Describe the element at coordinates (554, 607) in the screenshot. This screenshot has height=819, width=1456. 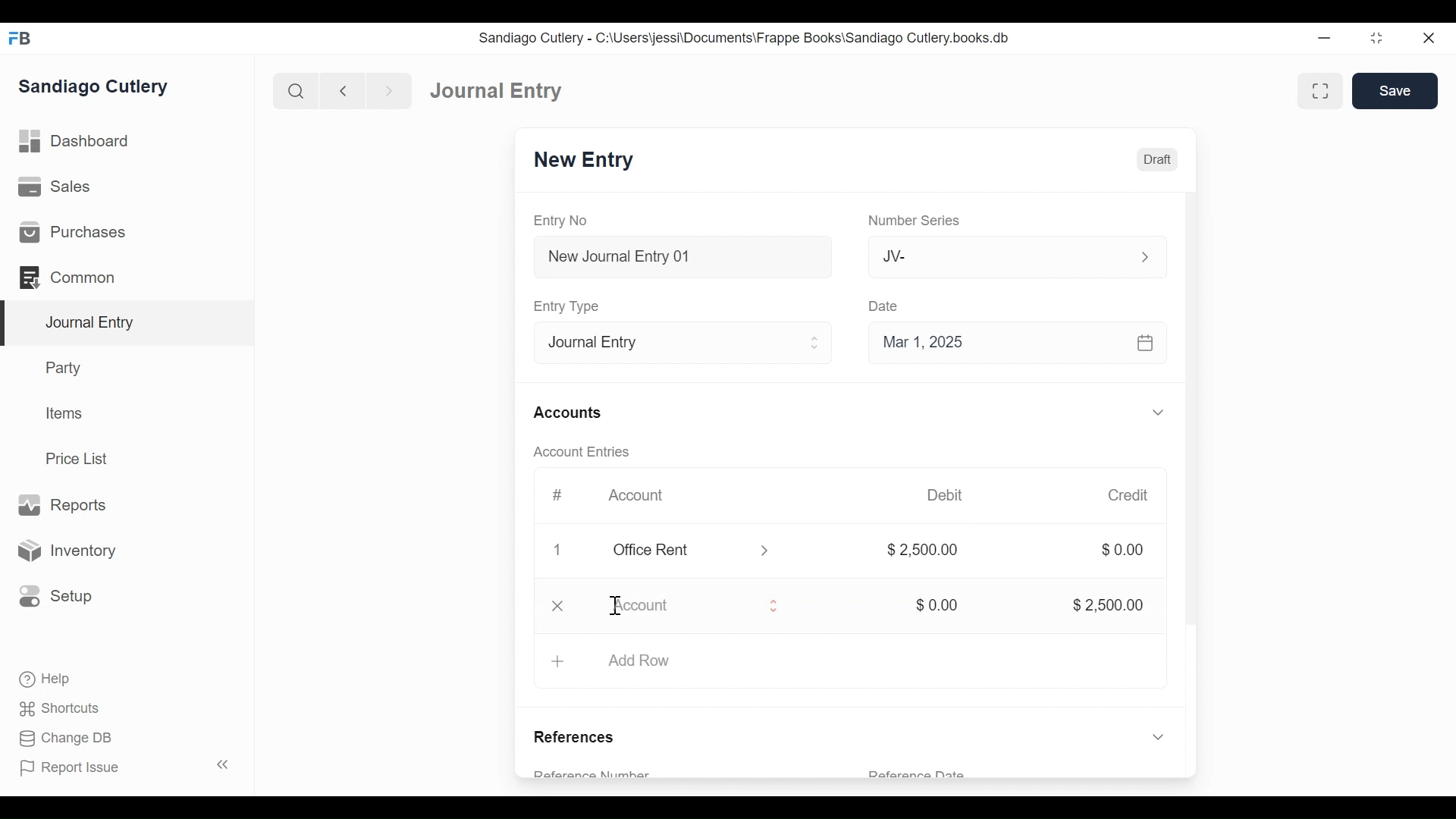
I see `delete` at that location.